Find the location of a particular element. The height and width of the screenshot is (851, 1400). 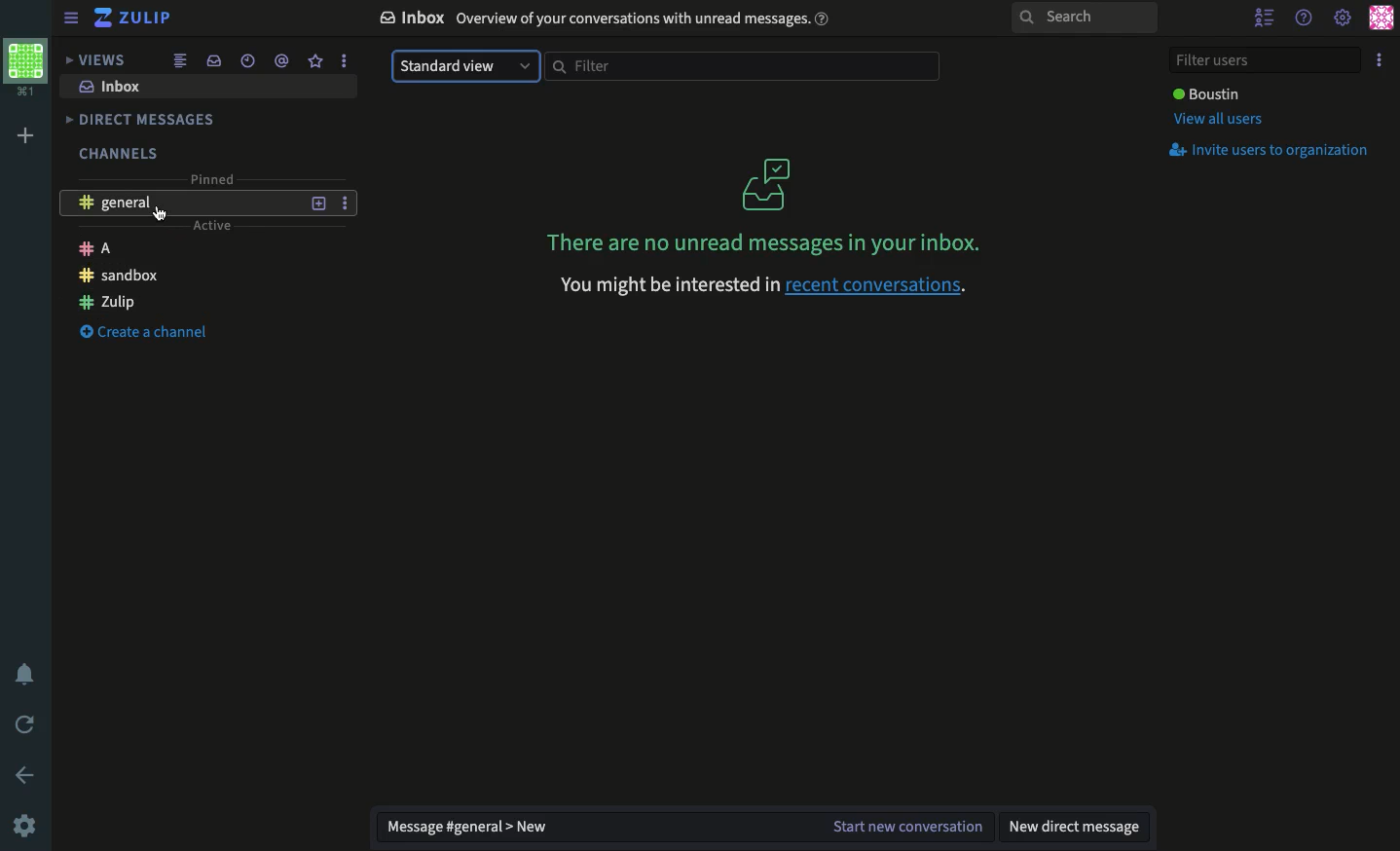

Message is located at coordinates (686, 825).